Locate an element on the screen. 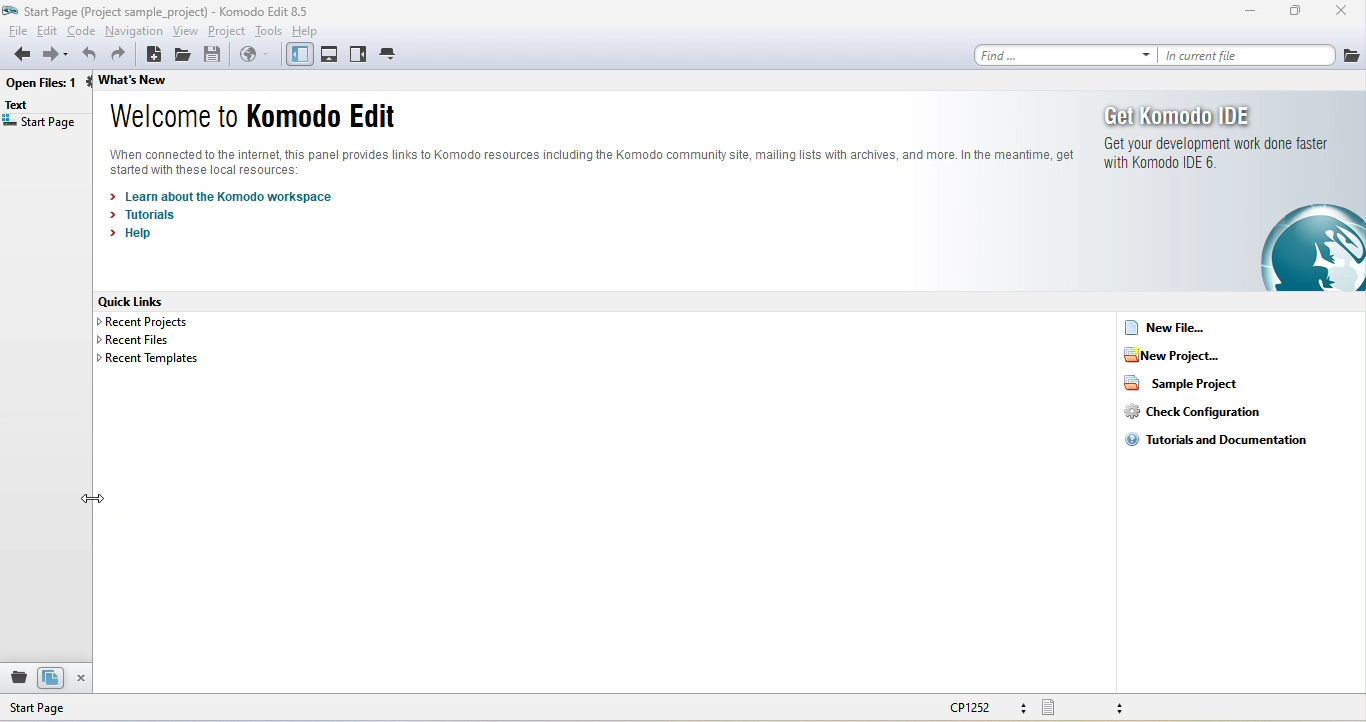 The height and width of the screenshot is (722, 1366). new project is located at coordinates (1191, 355).